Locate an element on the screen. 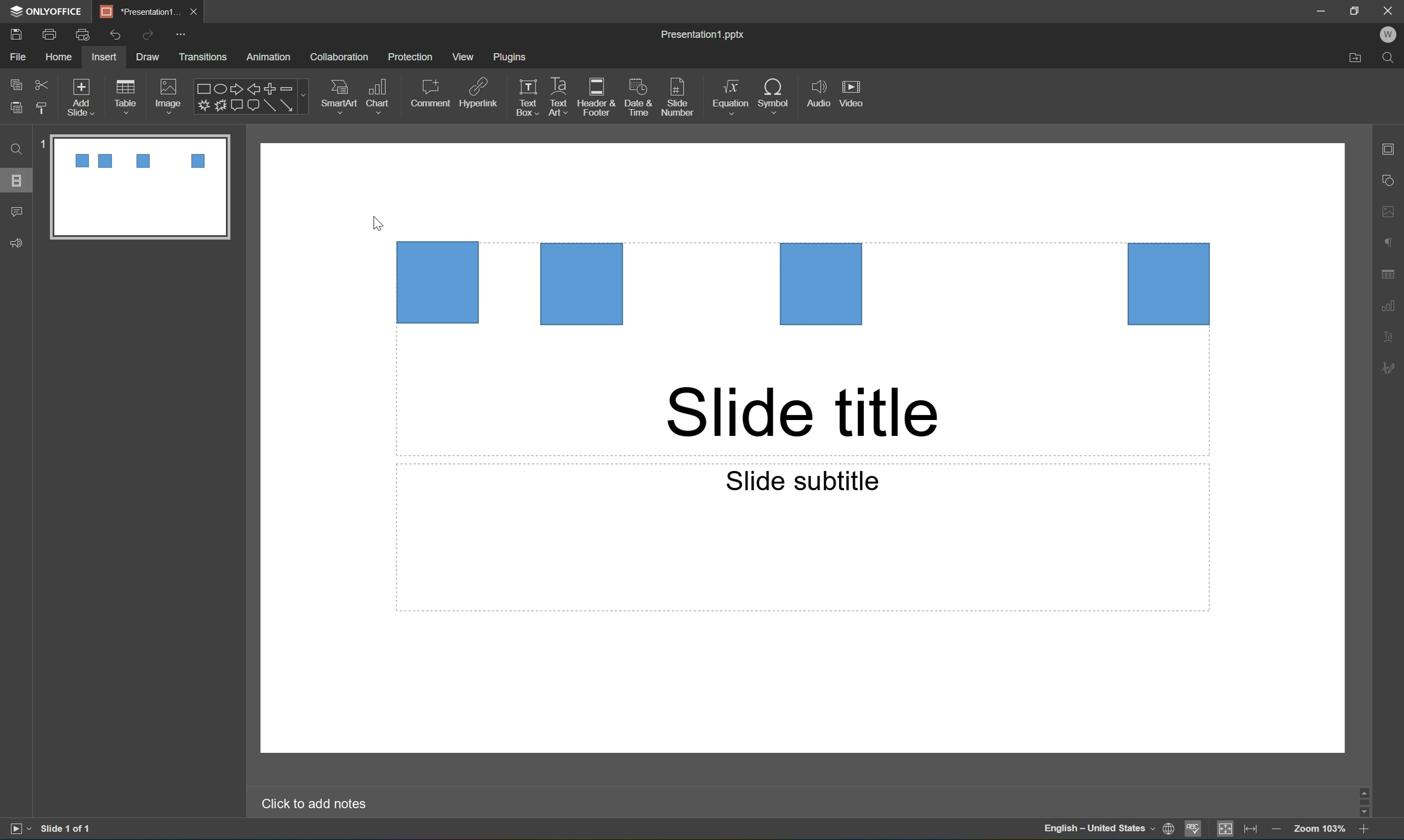 The width and height of the screenshot is (1404, 840). fit to width is located at coordinates (1251, 831).